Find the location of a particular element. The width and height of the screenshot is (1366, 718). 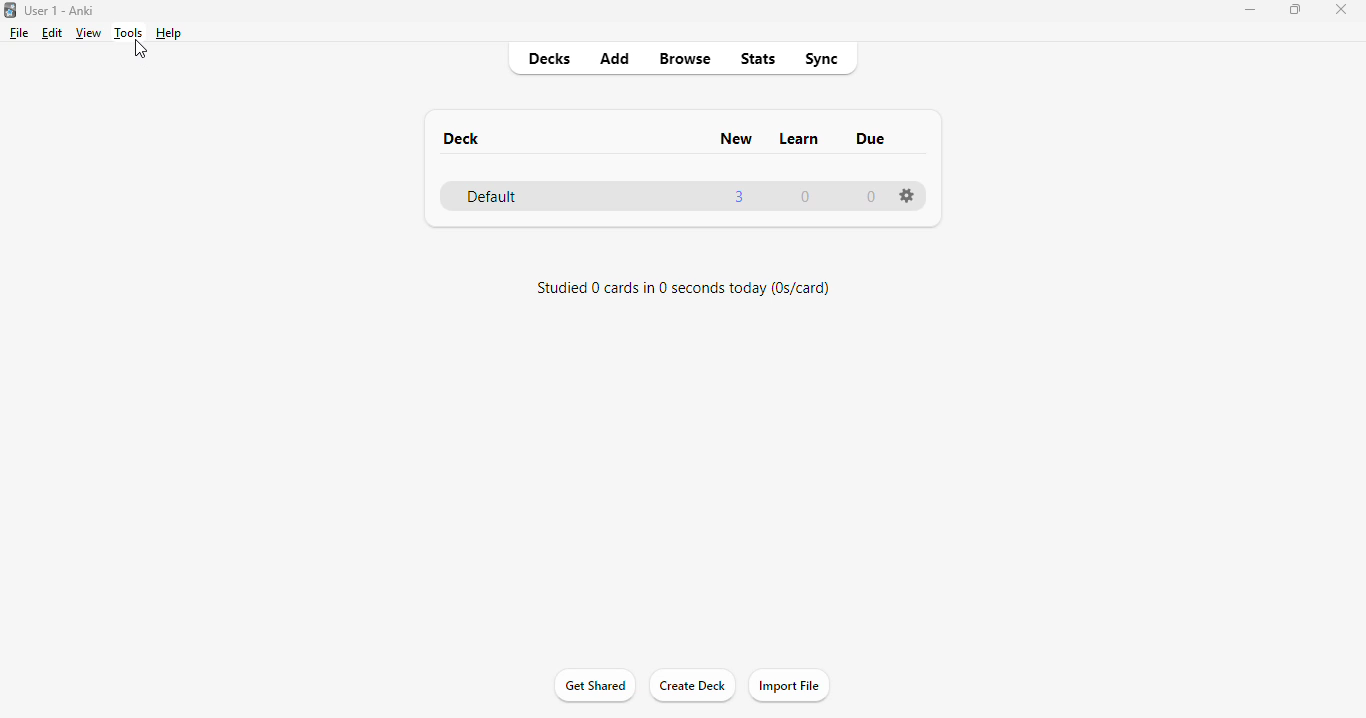

3 is located at coordinates (740, 196).